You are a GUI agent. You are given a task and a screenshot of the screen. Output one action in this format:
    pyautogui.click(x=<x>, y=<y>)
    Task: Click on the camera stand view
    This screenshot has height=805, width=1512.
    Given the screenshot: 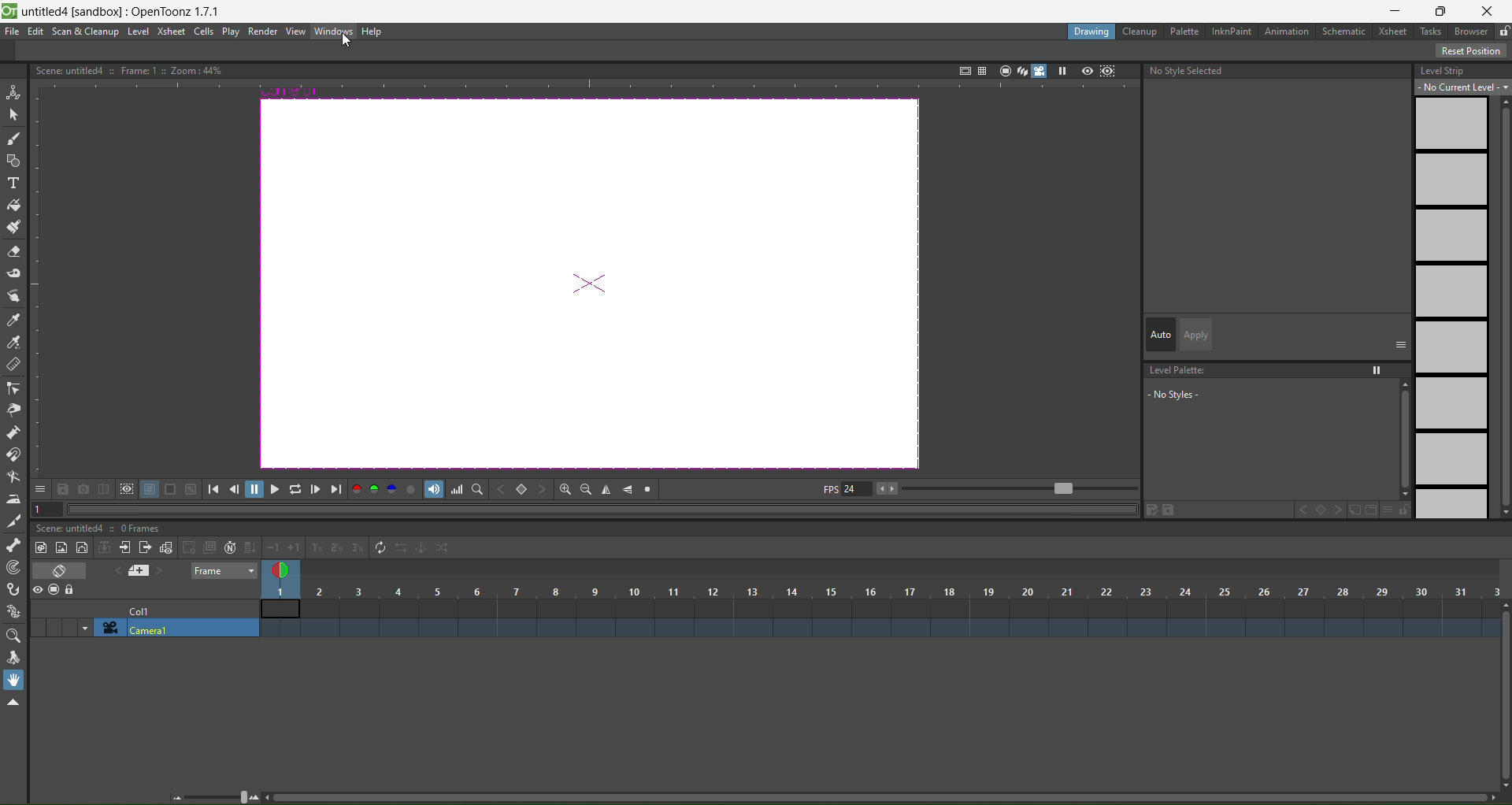 What is the action you would take?
    pyautogui.click(x=1002, y=69)
    